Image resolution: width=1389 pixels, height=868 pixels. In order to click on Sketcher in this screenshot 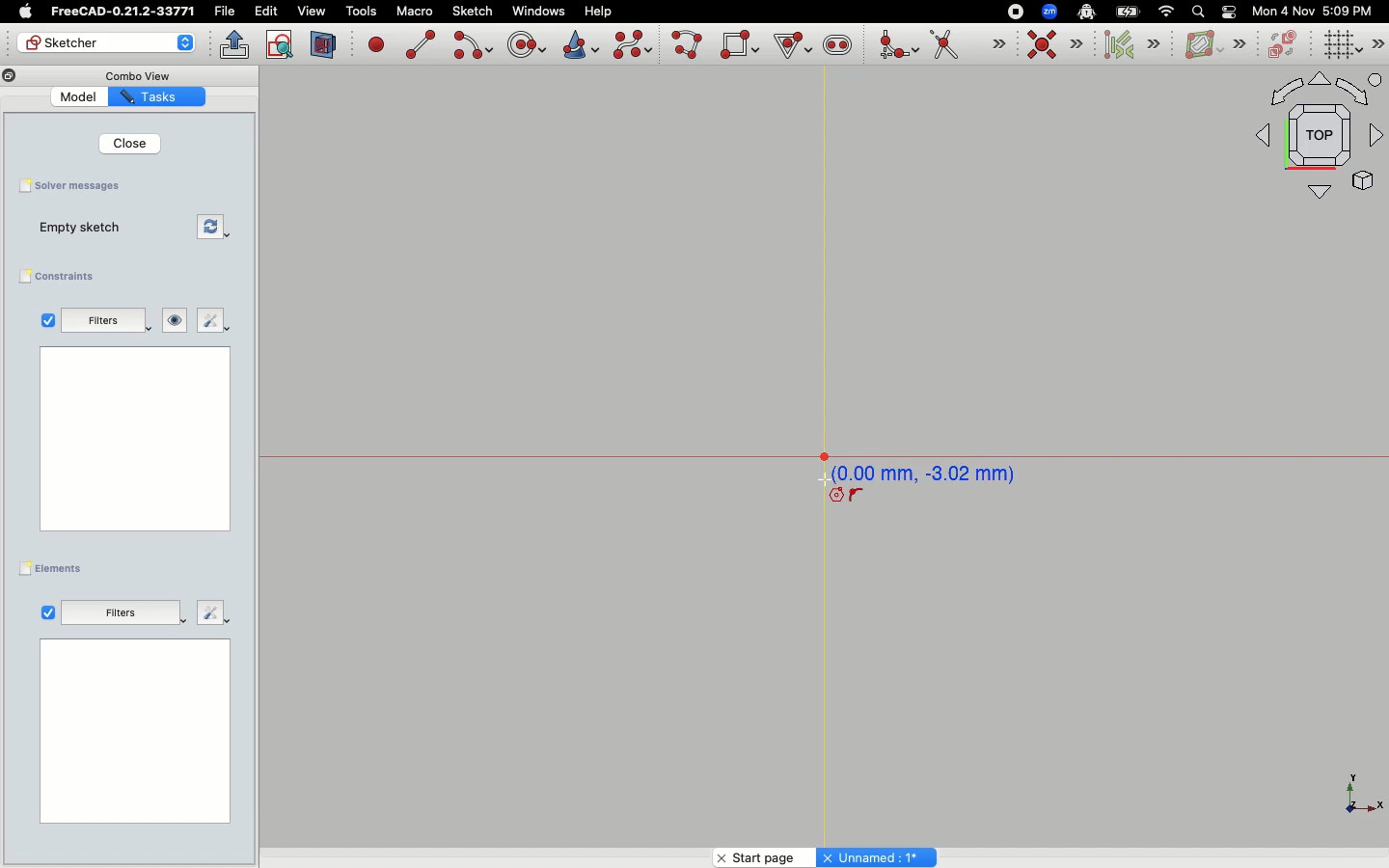, I will do `click(104, 43)`.